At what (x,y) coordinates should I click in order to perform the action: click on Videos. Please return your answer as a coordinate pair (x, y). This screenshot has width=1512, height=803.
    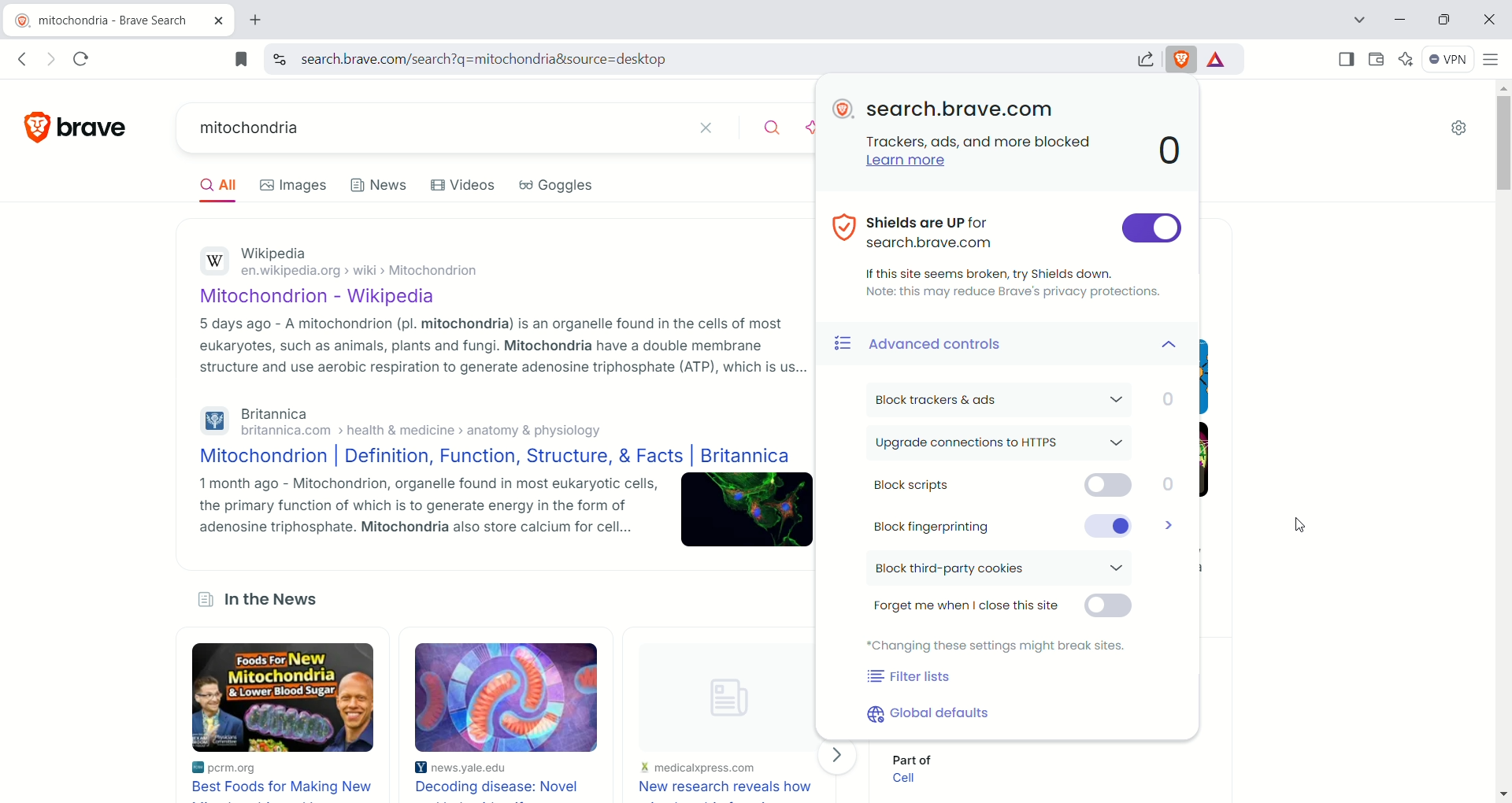
    Looking at the image, I should click on (464, 184).